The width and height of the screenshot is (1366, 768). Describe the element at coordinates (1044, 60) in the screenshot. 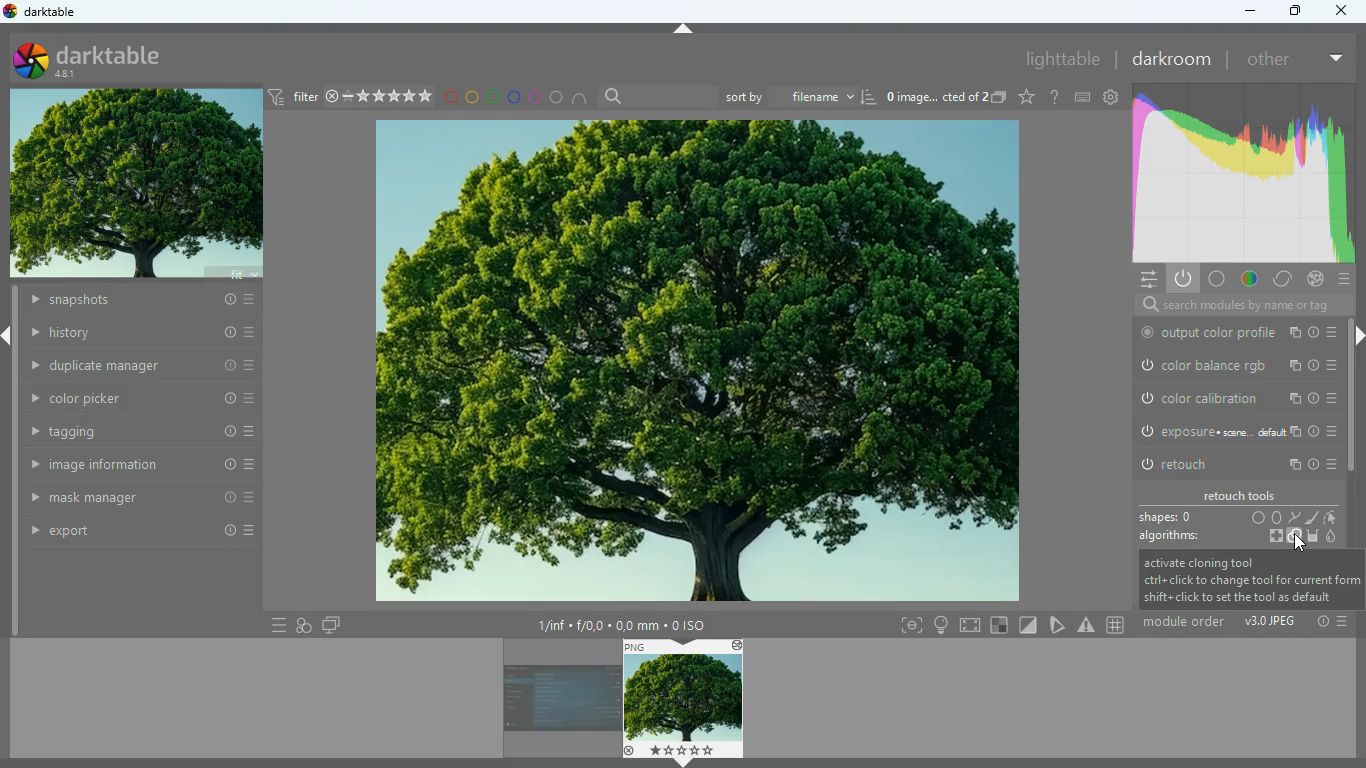

I see `lighttable` at that location.